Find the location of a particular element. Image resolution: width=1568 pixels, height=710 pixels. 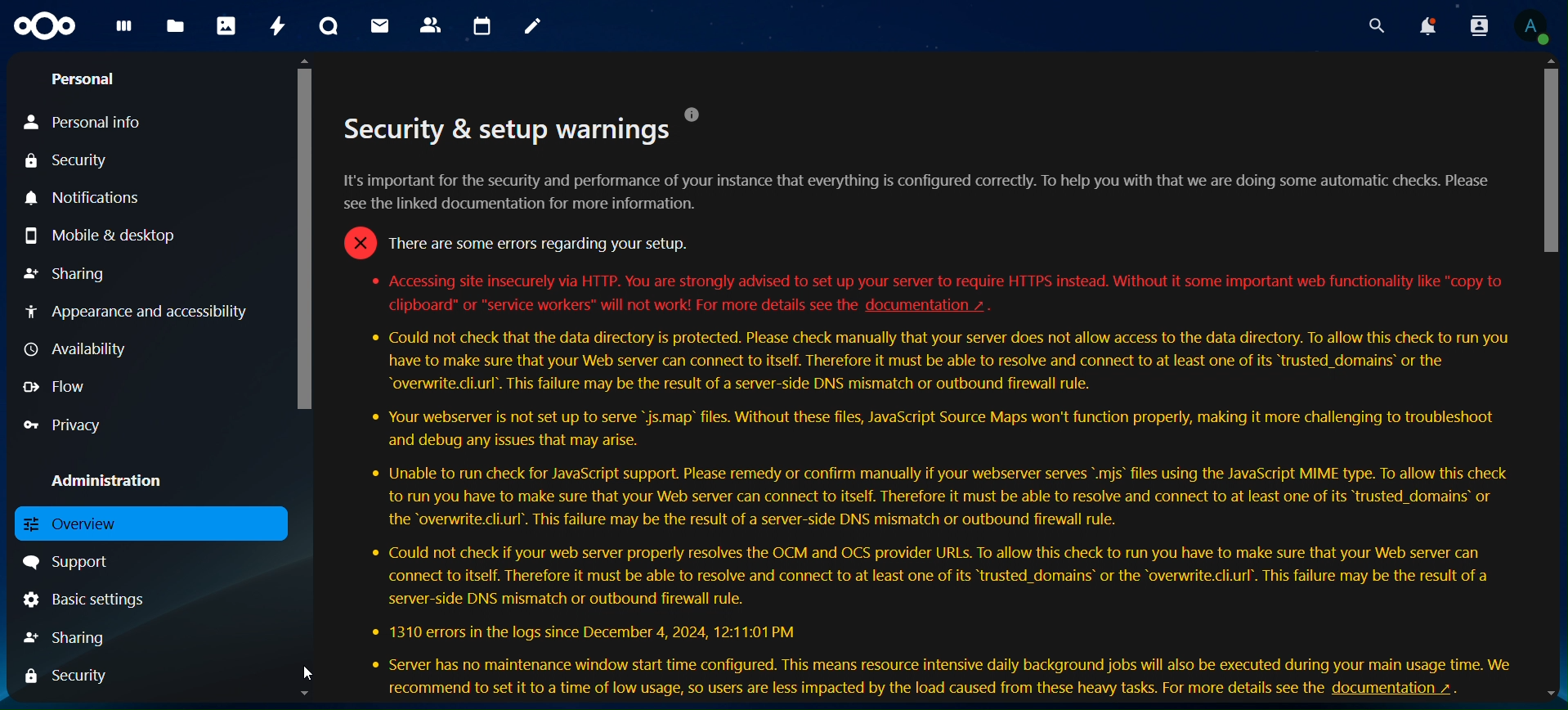

sharing is located at coordinates (68, 270).